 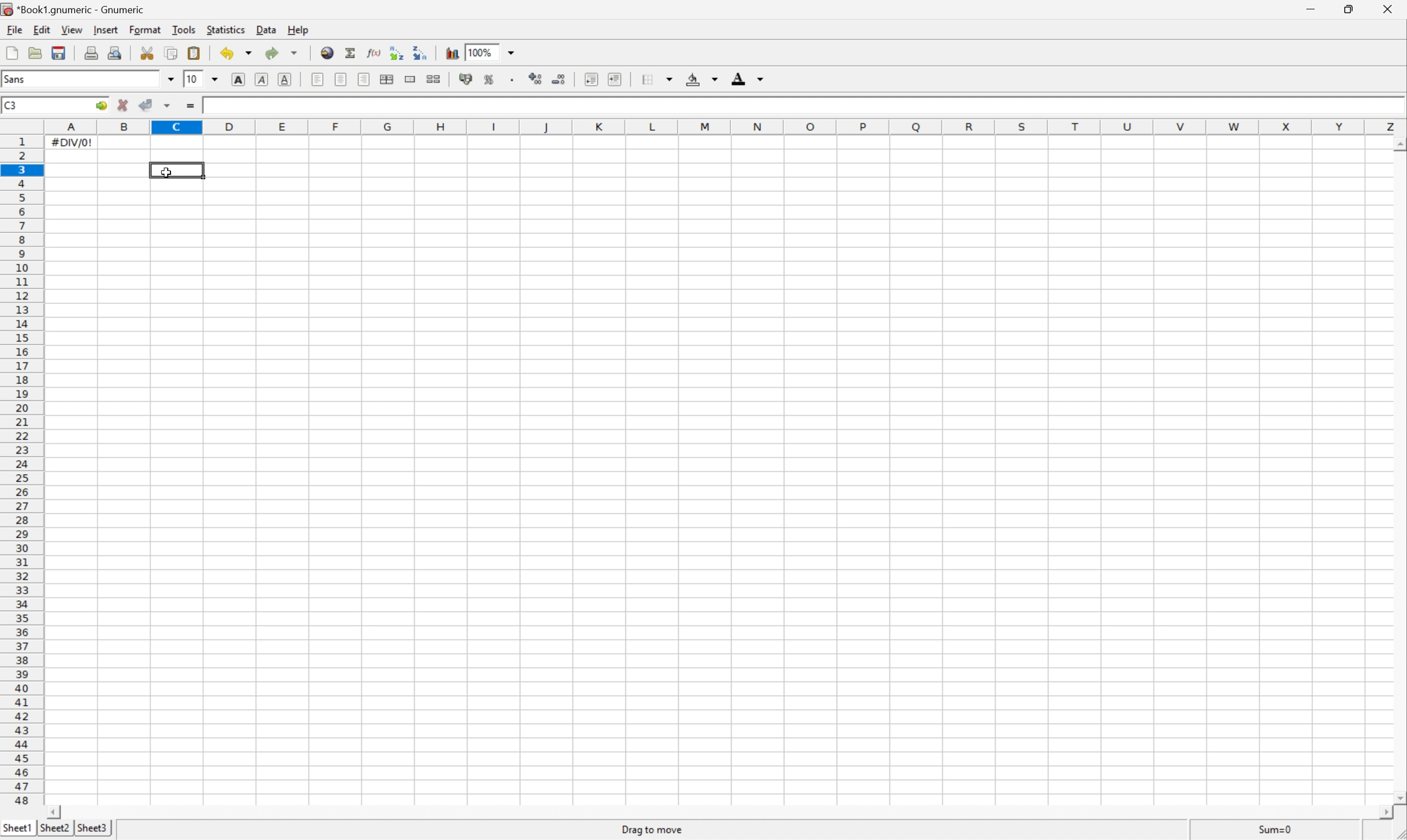 I want to click on Italic, so click(x=261, y=80).